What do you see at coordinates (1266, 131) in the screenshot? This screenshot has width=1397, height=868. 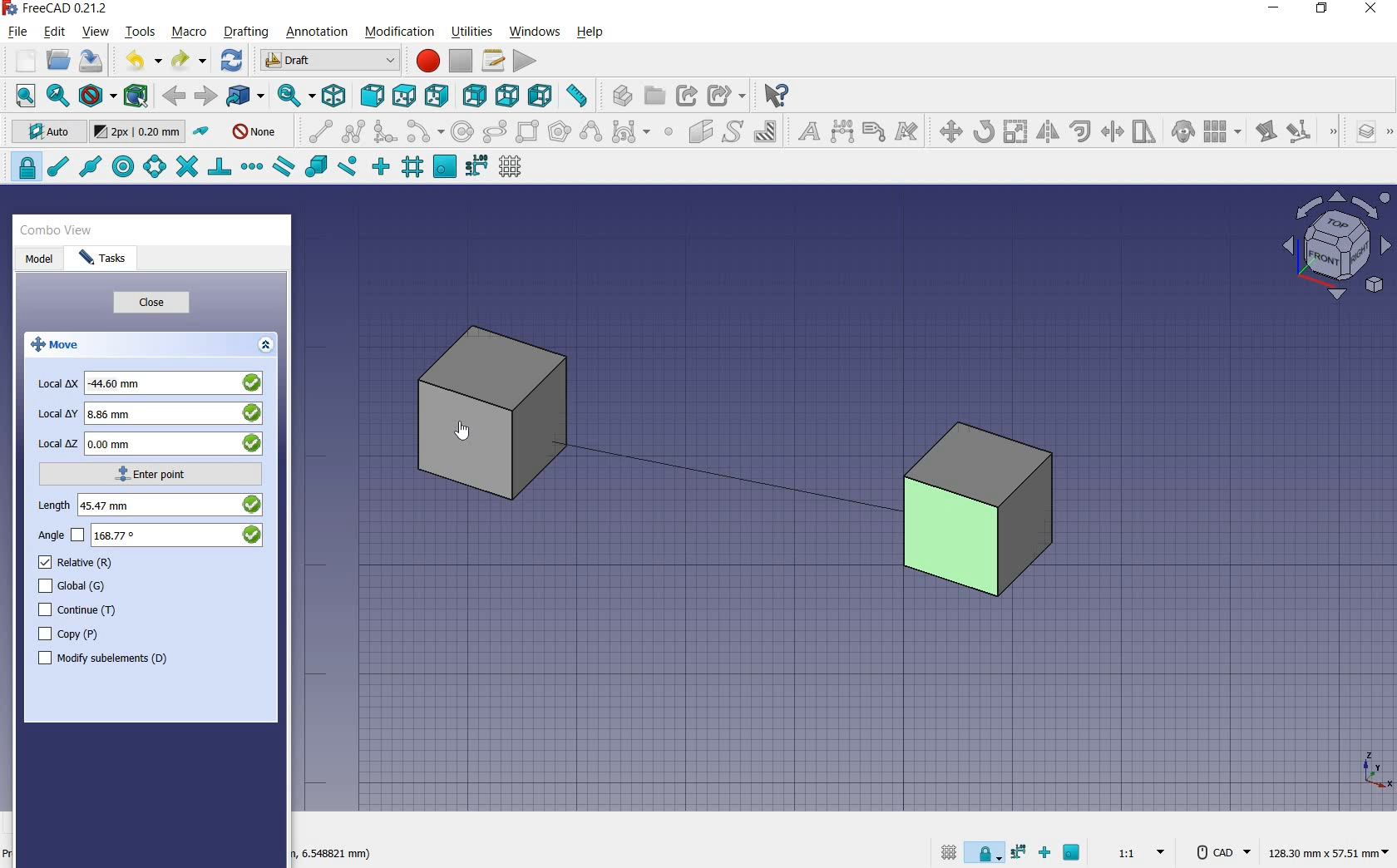 I see `edit` at bounding box center [1266, 131].